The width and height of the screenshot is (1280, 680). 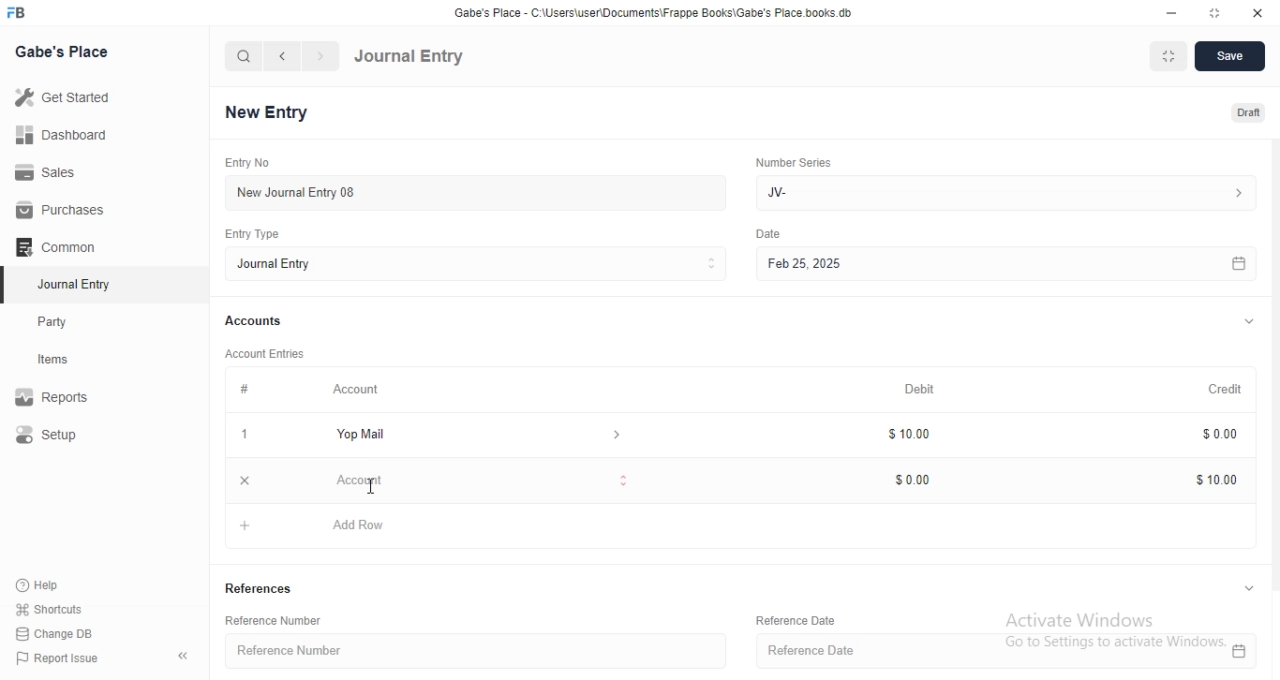 I want to click on 1, so click(x=245, y=435).